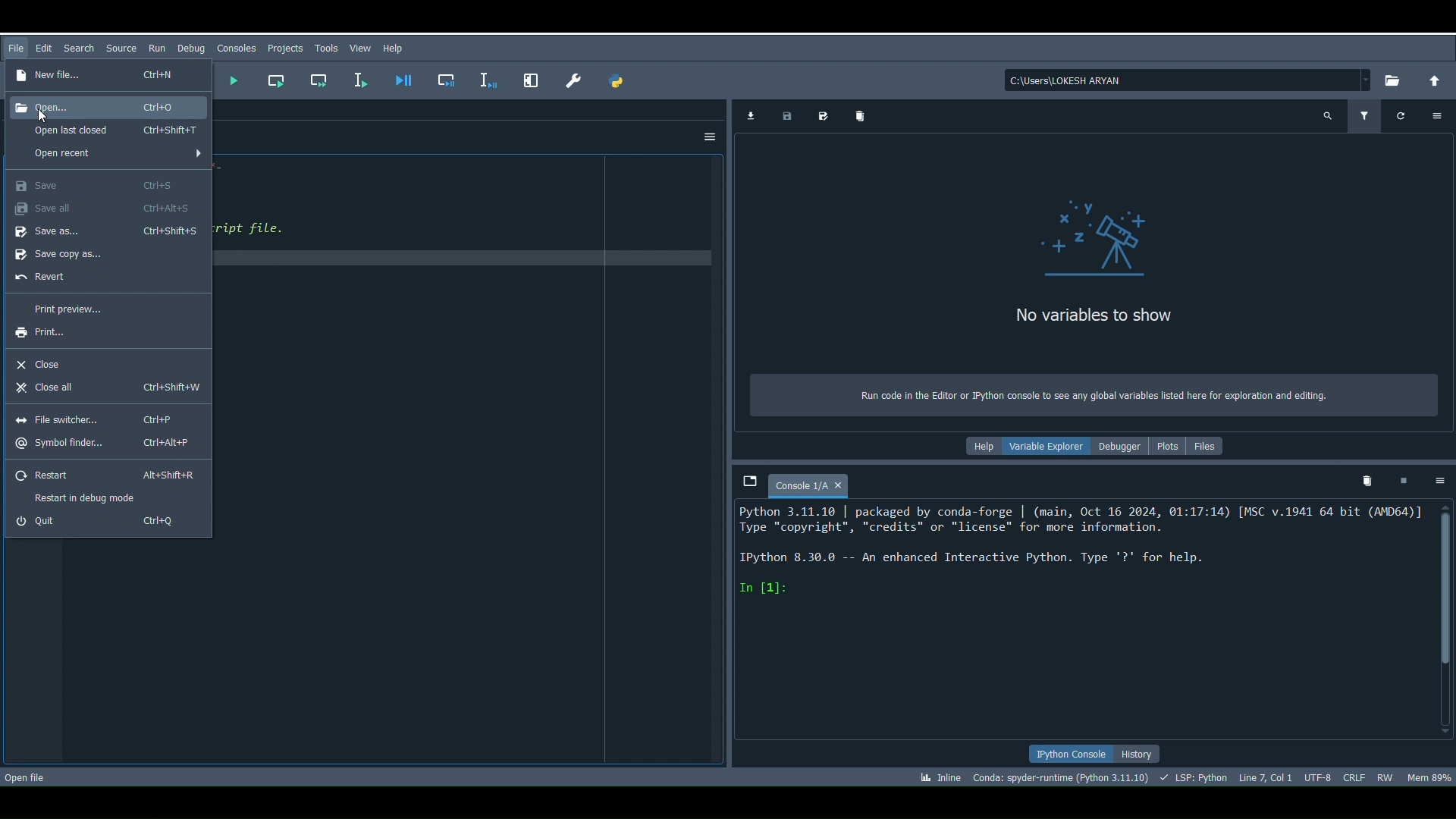 Image resolution: width=1456 pixels, height=819 pixels. Describe the element at coordinates (105, 254) in the screenshot. I see `Save copy as` at that location.